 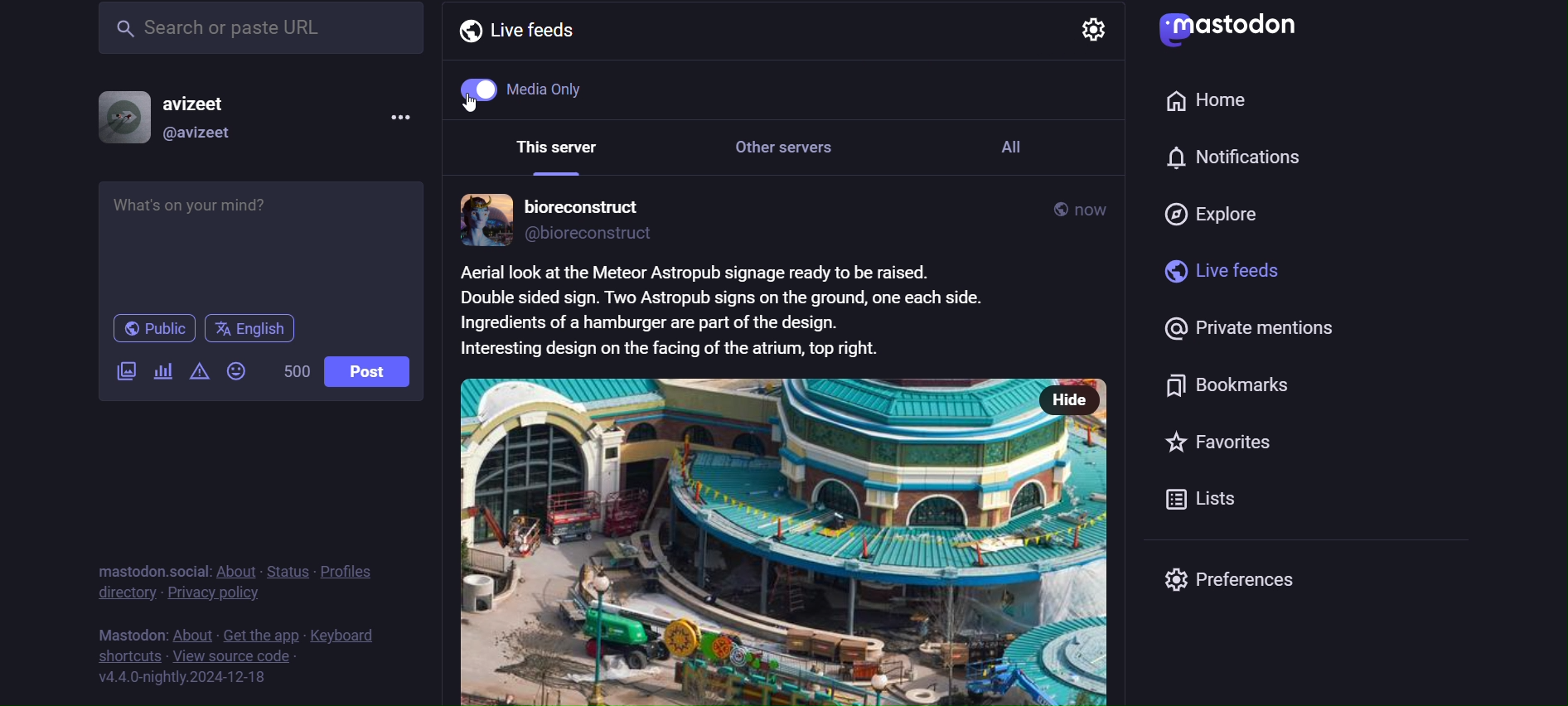 What do you see at coordinates (179, 677) in the screenshot?
I see `version` at bounding box center [179, 677].